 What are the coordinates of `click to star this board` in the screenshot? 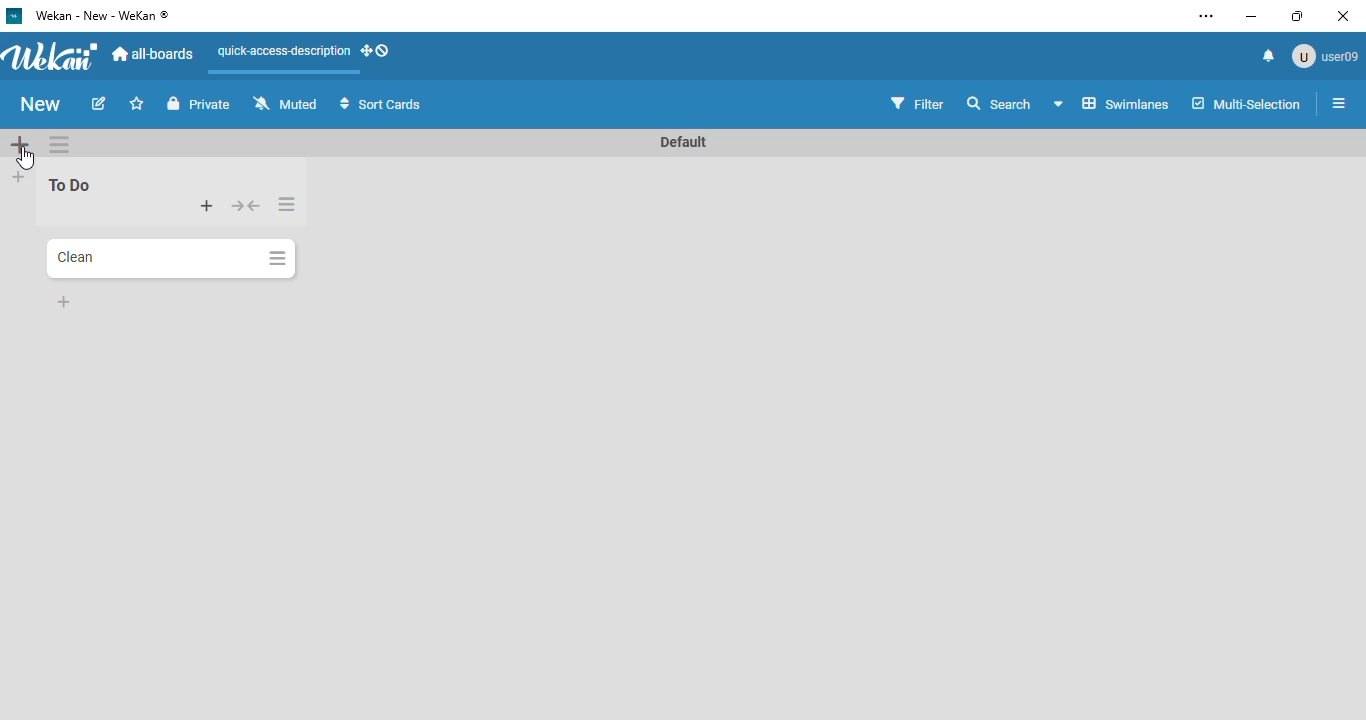 It's located at (138, 103).